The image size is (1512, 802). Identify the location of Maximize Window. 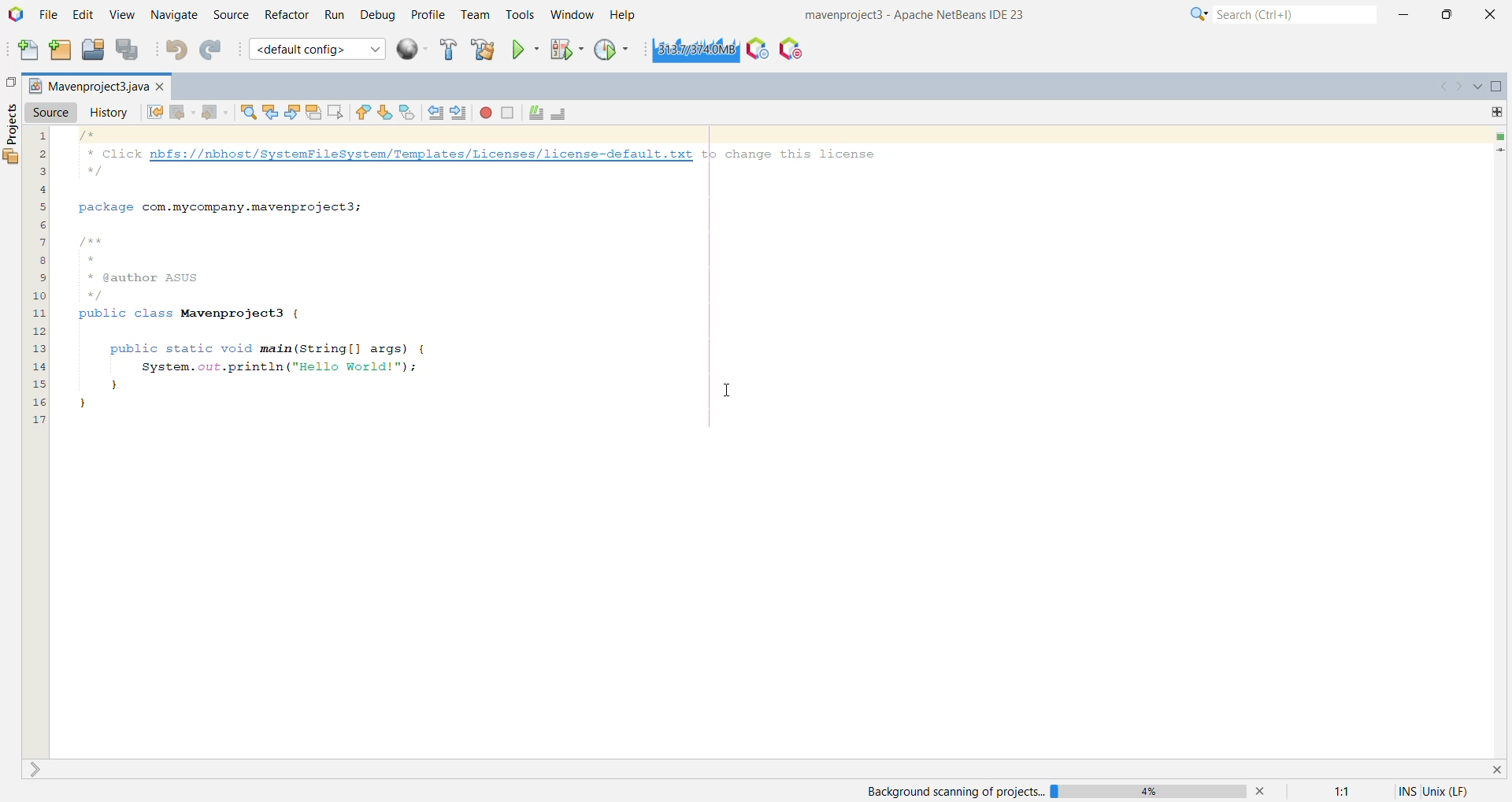
(1497, 87).